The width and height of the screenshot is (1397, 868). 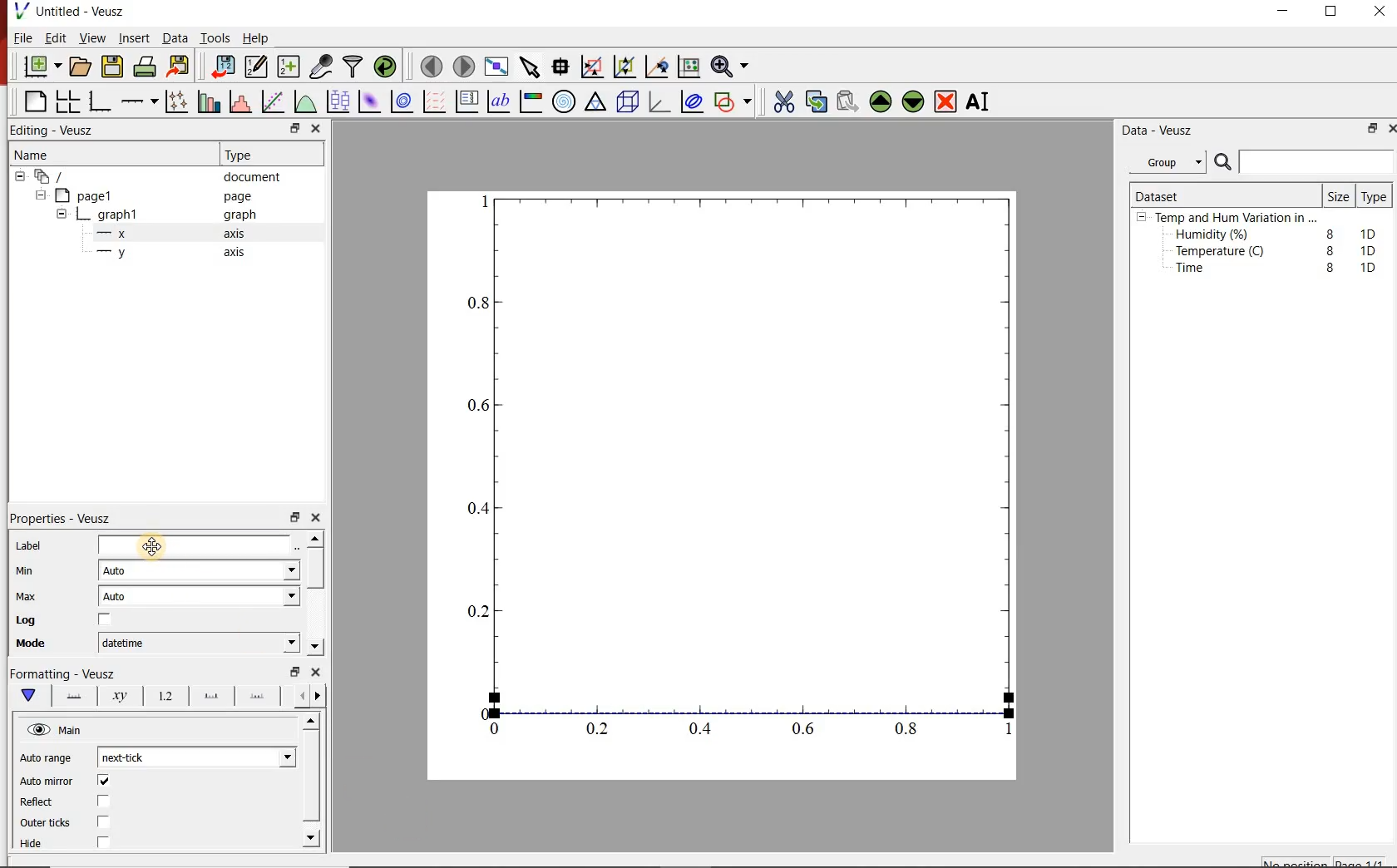 What do you see at coordinates (479, 302) in the screenshot?
I see `0.8` at bounding box center [479, 302].